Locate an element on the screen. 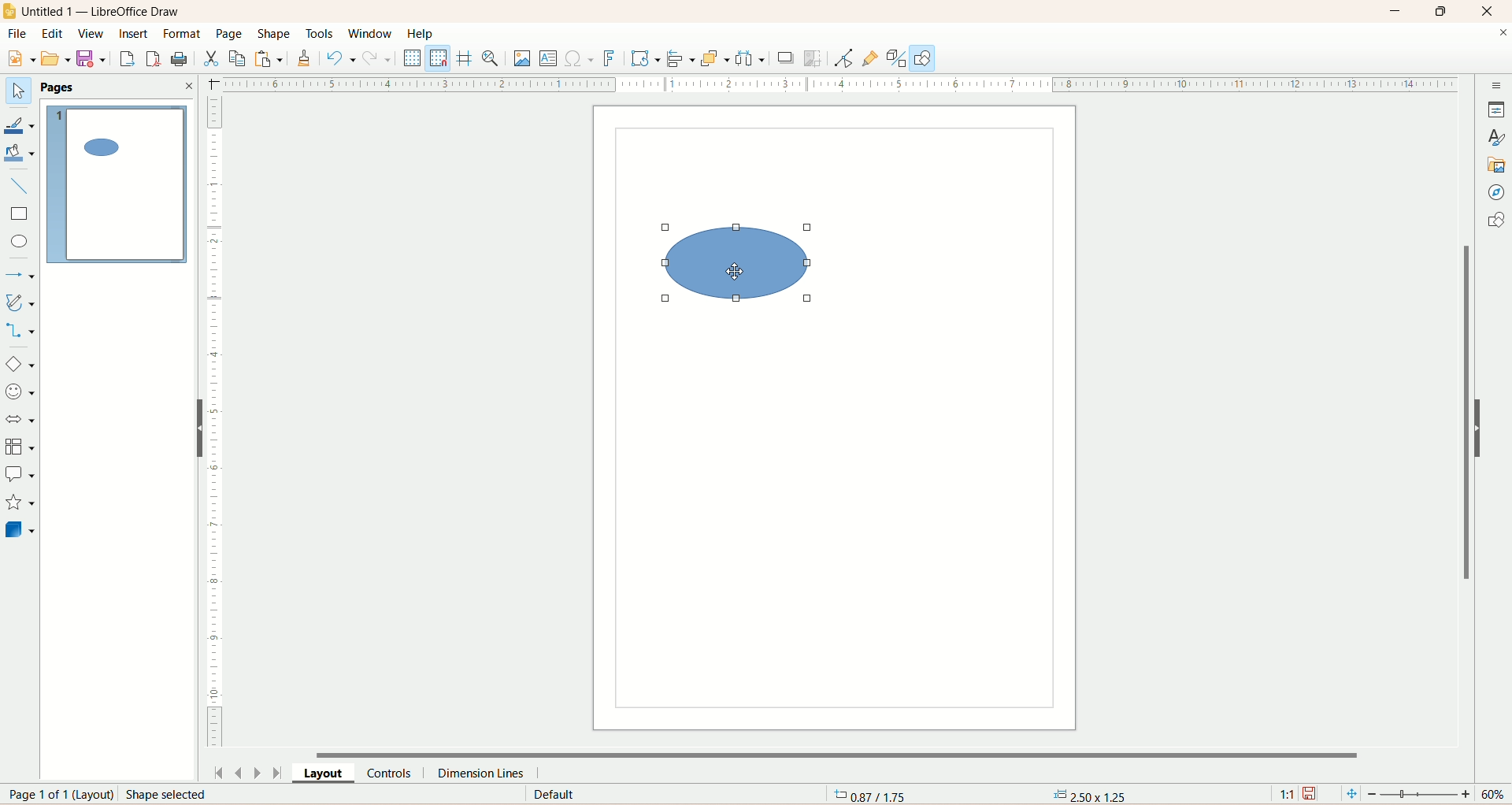 The width and height of the screenshot is (1512, 805). save is located at coordinates (91, 60).